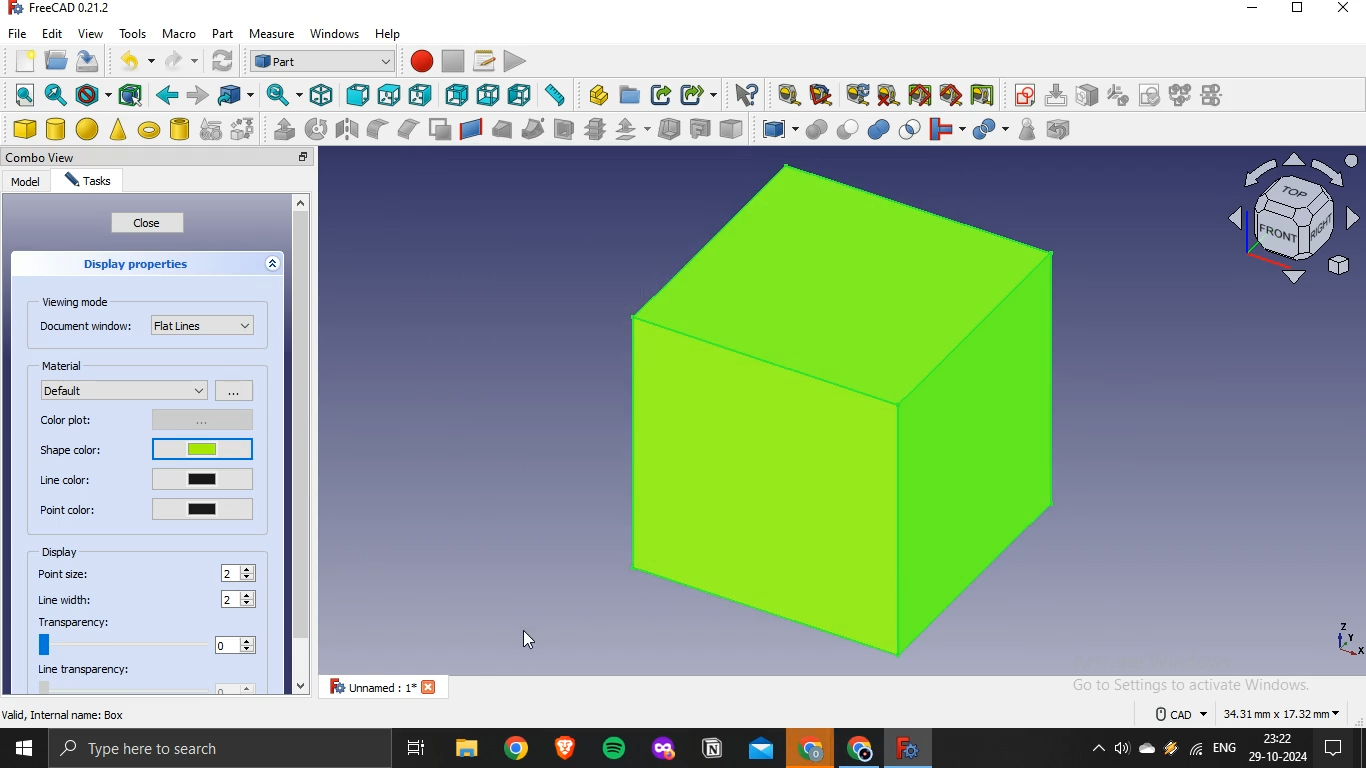  I want to click on join objects, so click(945, 127).